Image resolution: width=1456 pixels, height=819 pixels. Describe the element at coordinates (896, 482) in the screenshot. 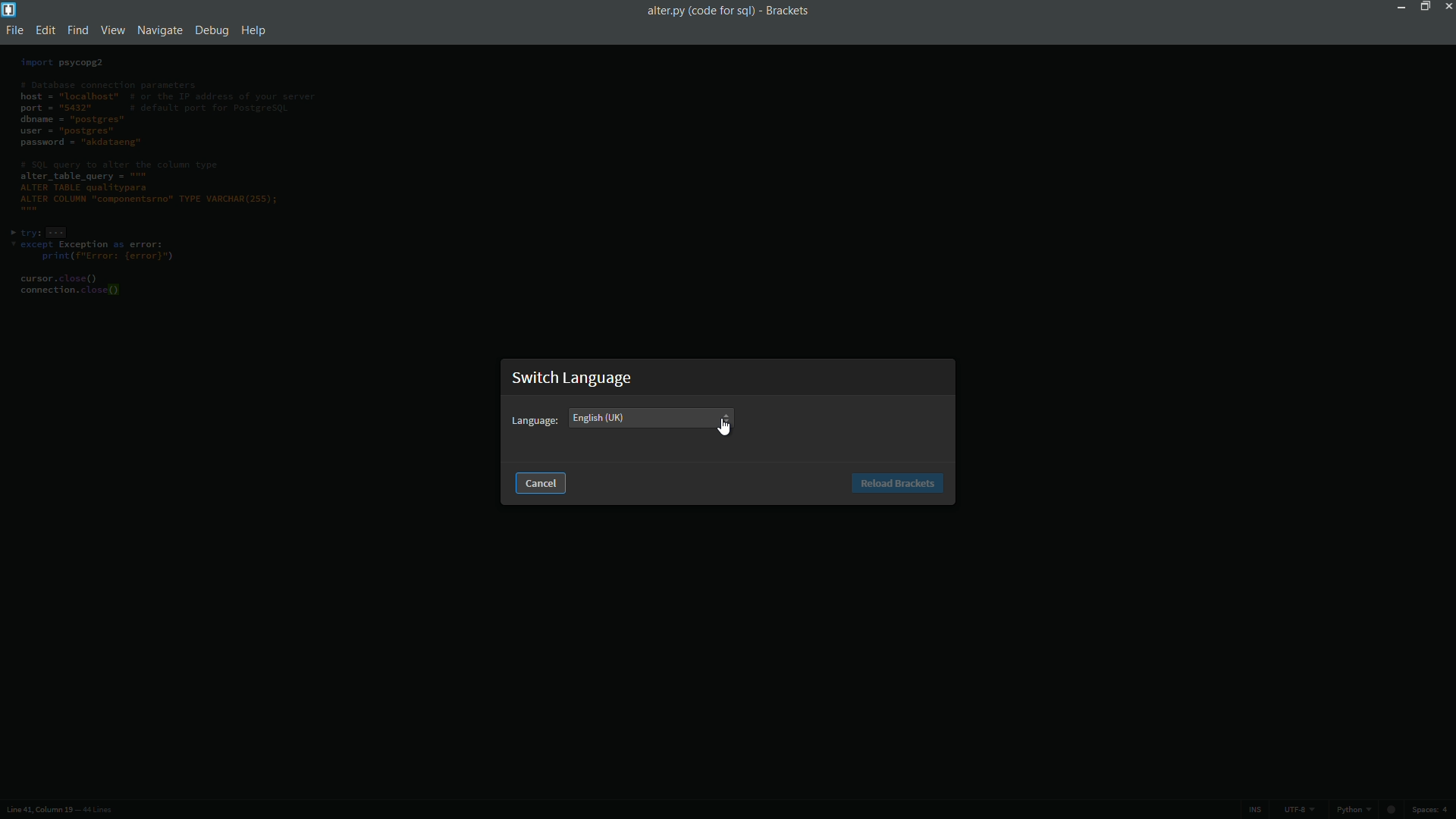

I see `Reload brackets` at that location.